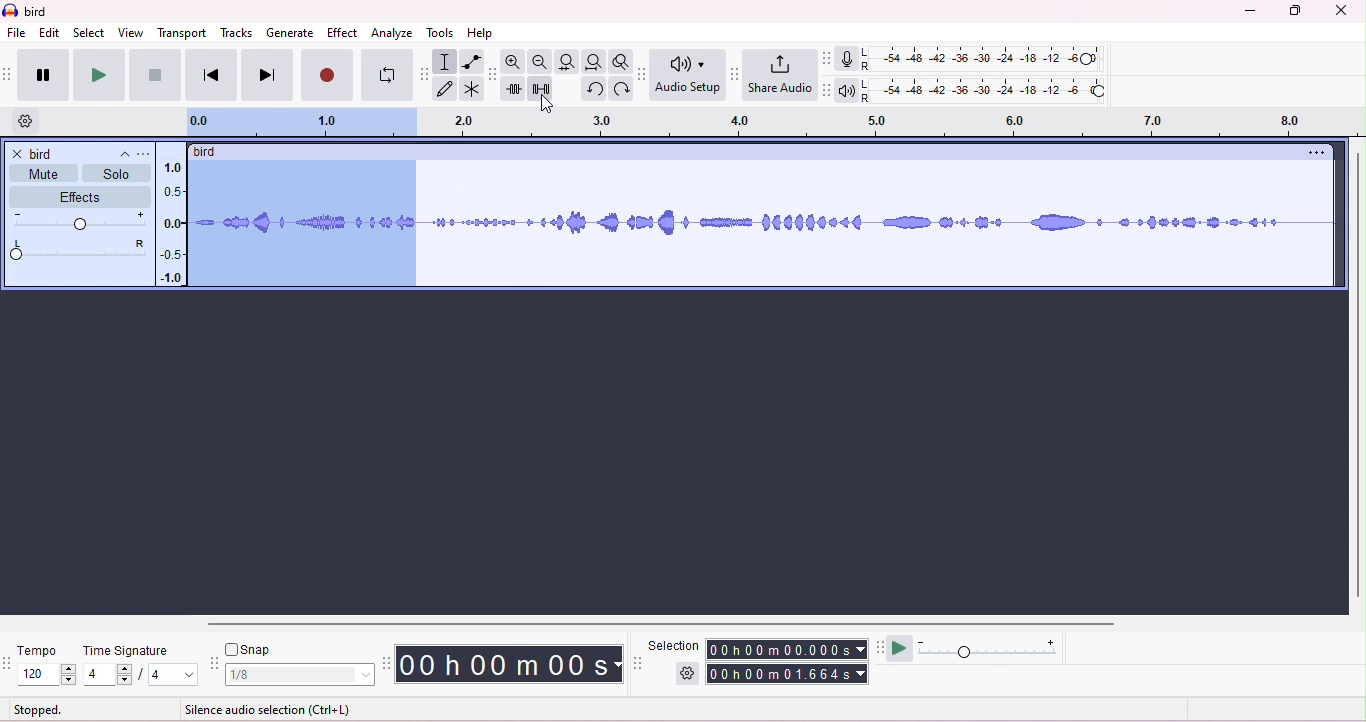 This screenshot has width=1366, height=722. What do you see at coordinates (327, 710) in the screenshot?
I see `click and drag to select audio (snapping) (Esc to cancel)` at bounding box center [327, 710].